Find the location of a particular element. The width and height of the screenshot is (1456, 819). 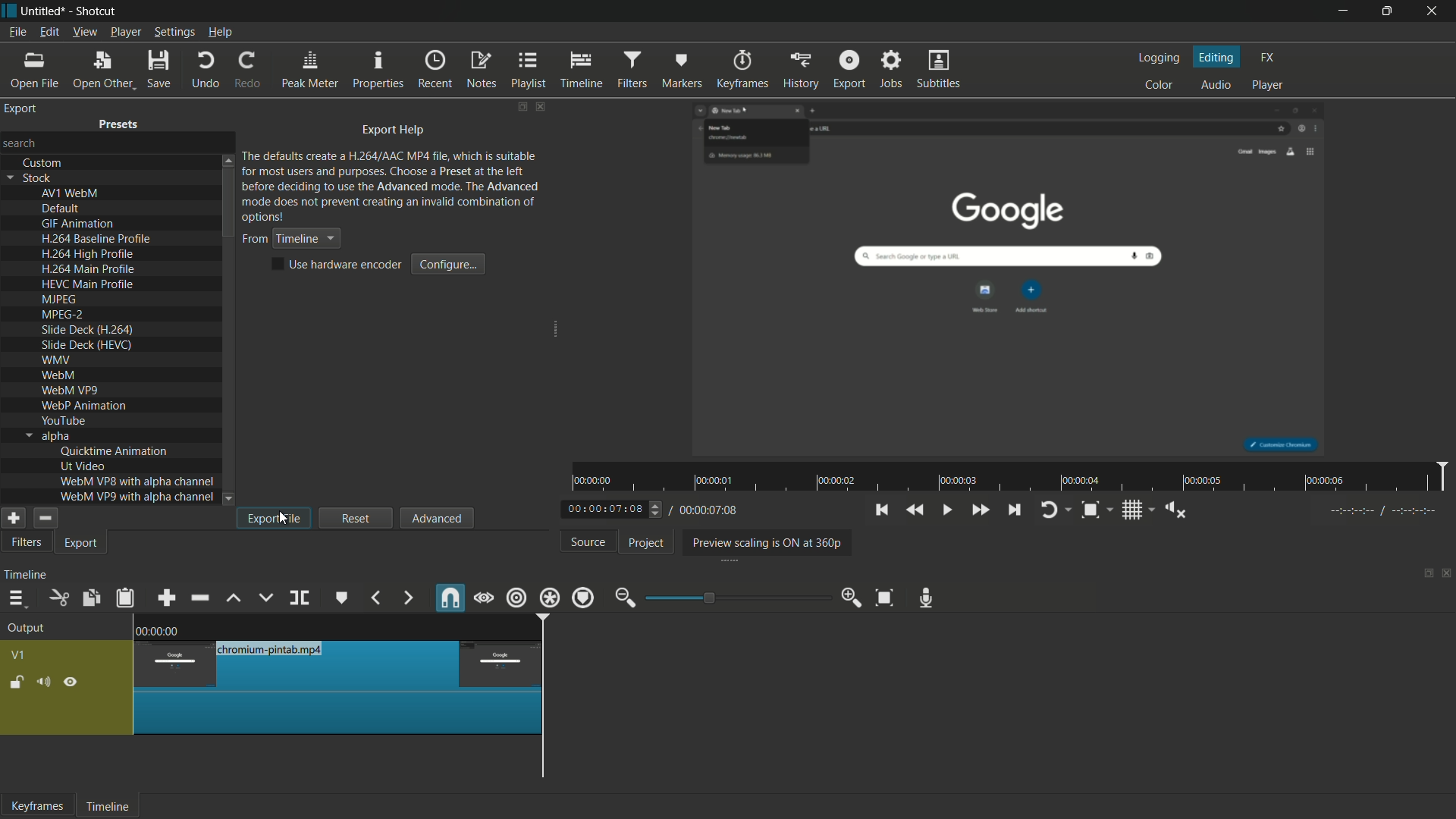

overwrite is located at coordinates (265, 598).